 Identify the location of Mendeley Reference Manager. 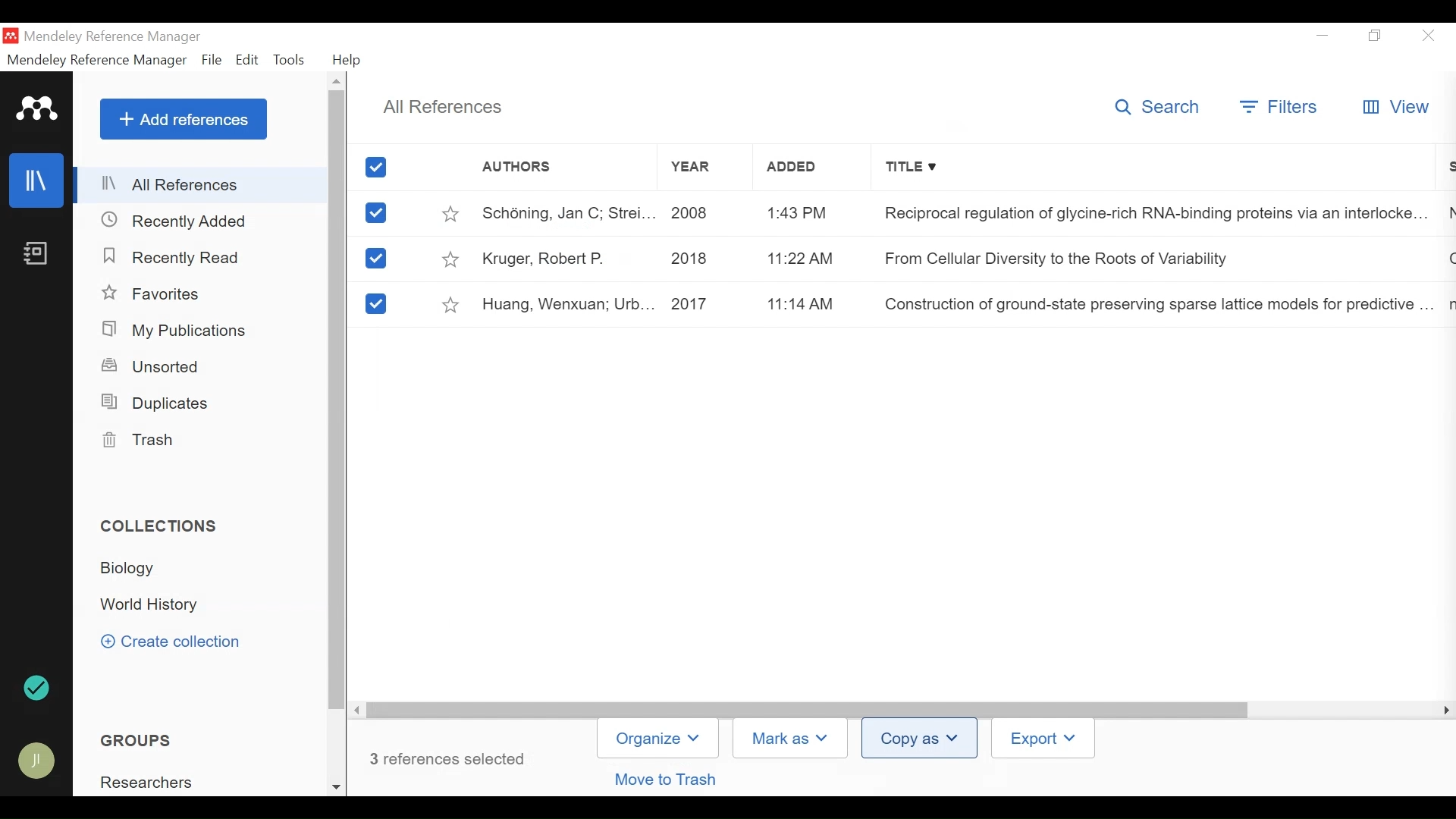
(113, 37).